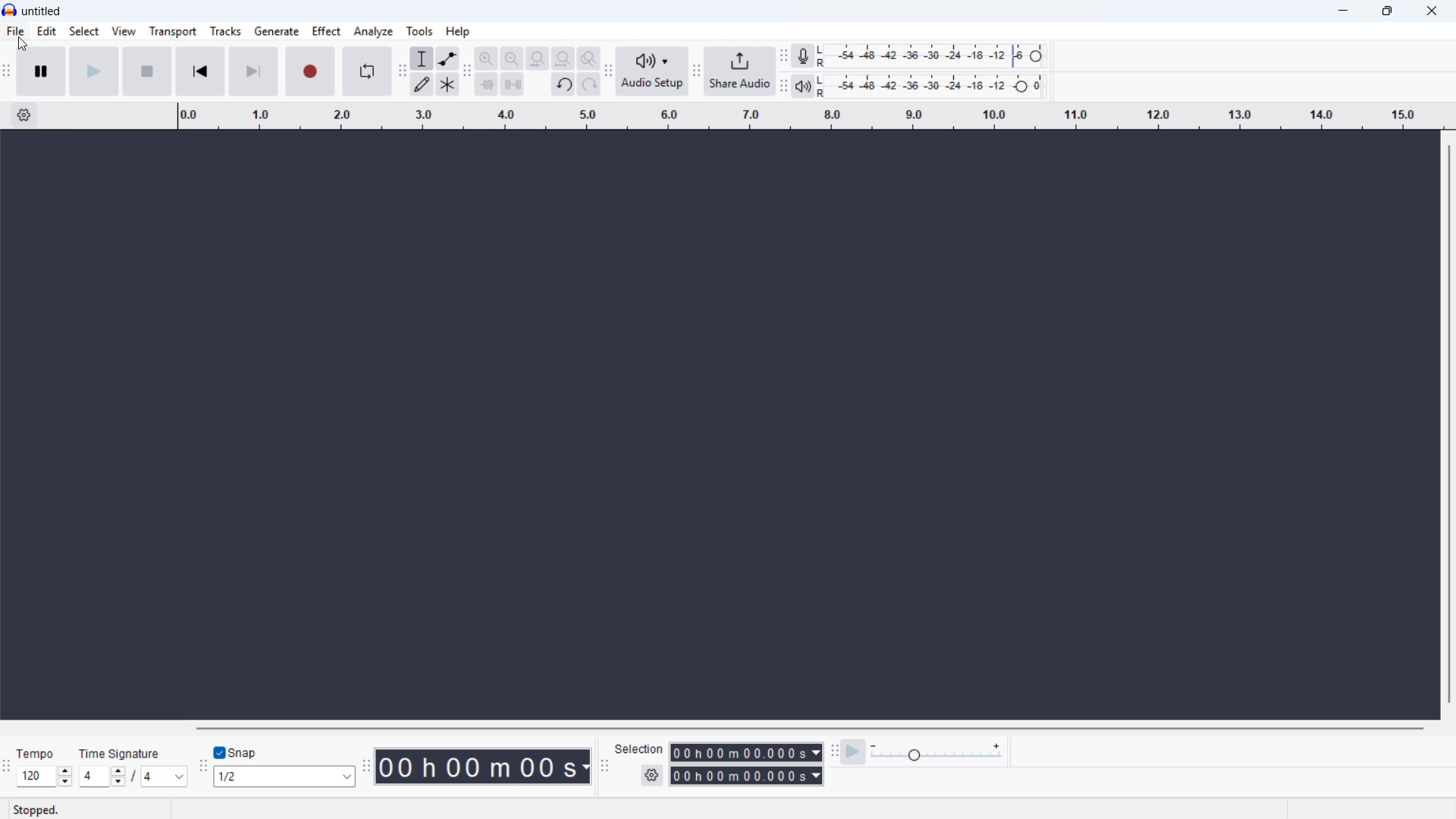 The width and height of the screenshot is (1456, 819). Describe the element at coordinates (802, 56) in the screenshot. I see `Recording metre ` at that location.